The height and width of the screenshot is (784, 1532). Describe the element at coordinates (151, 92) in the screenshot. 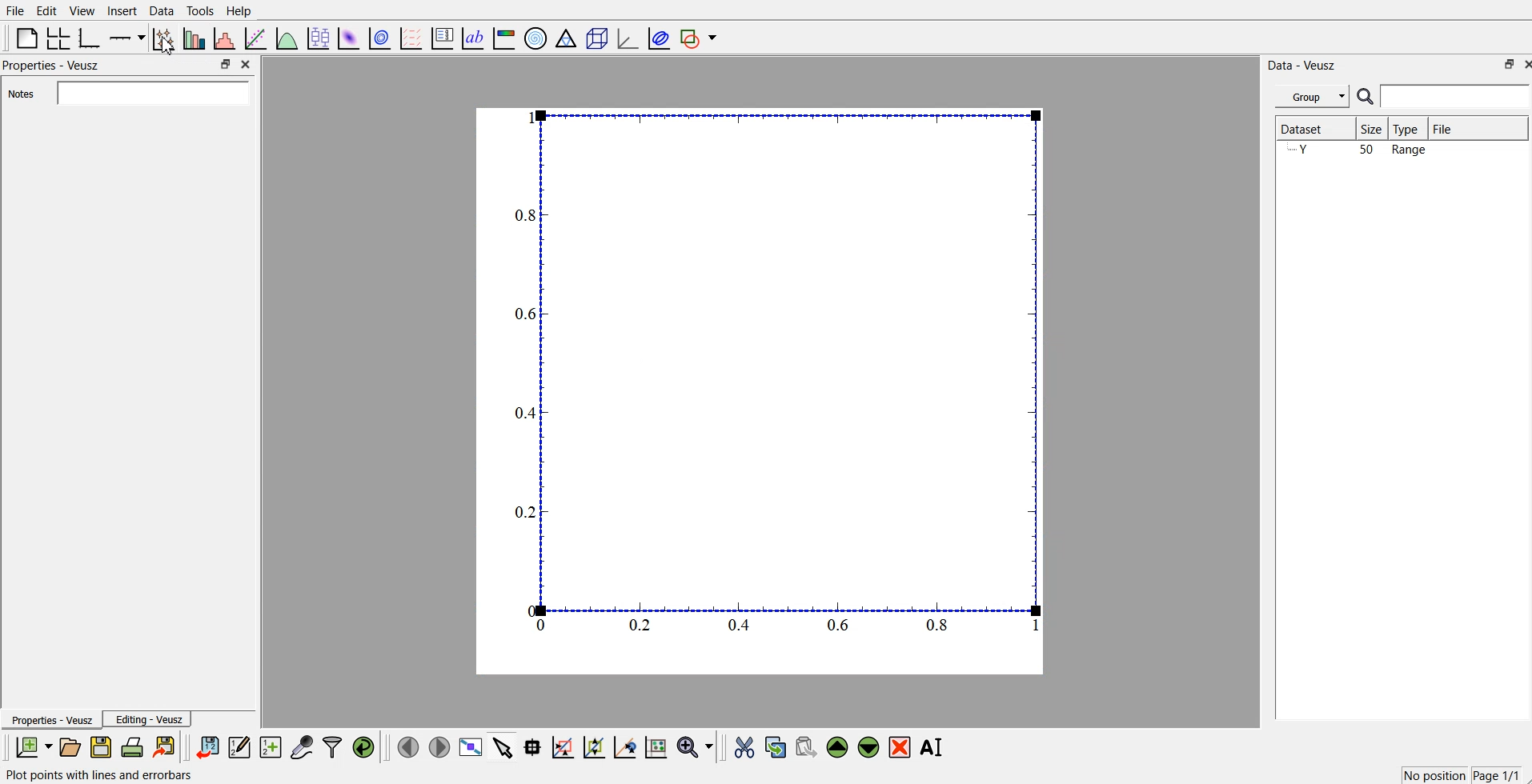

I see `Notes field` at that location.